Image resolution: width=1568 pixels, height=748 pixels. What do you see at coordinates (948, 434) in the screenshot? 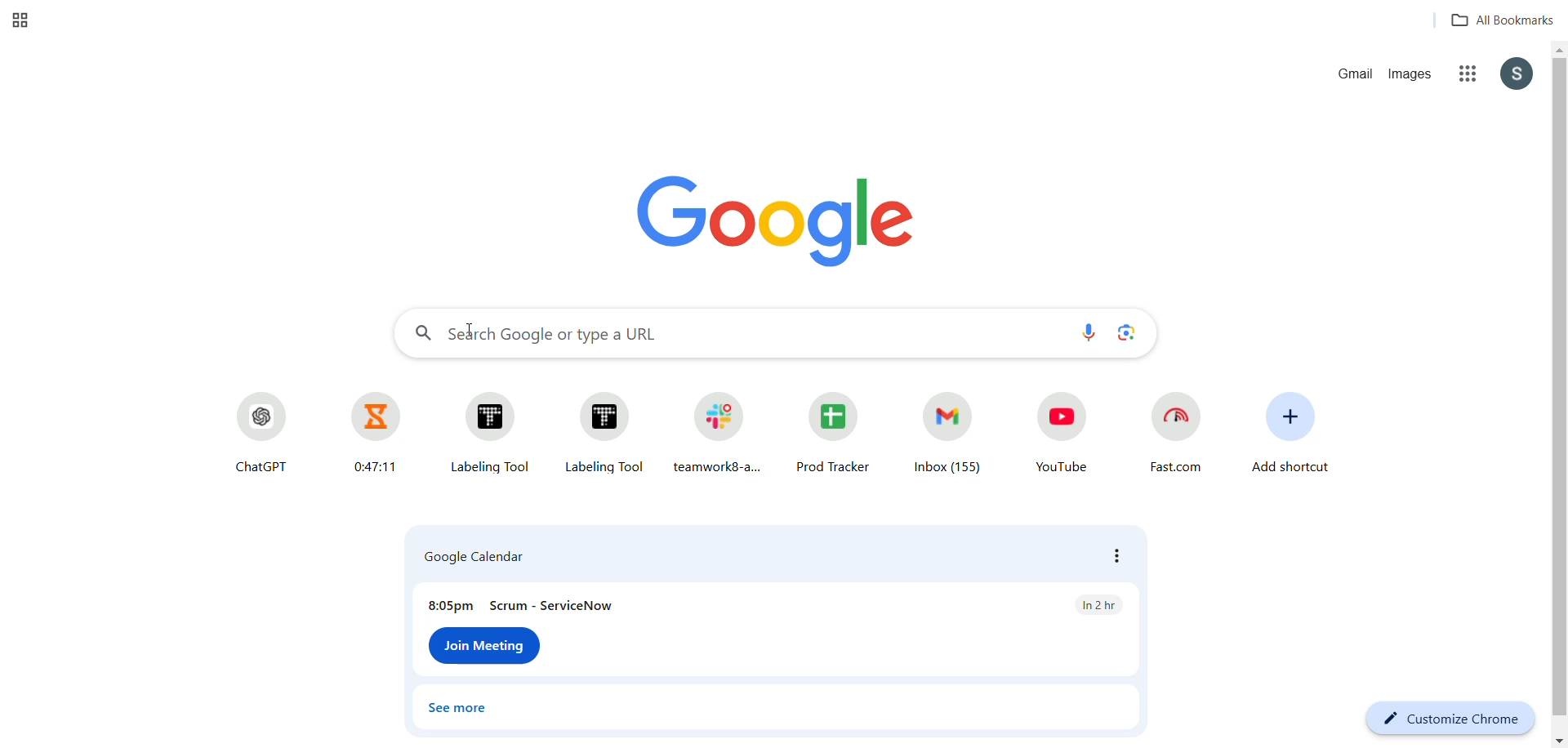
I see `Inbox (155)` at bounding box center [948, 434].